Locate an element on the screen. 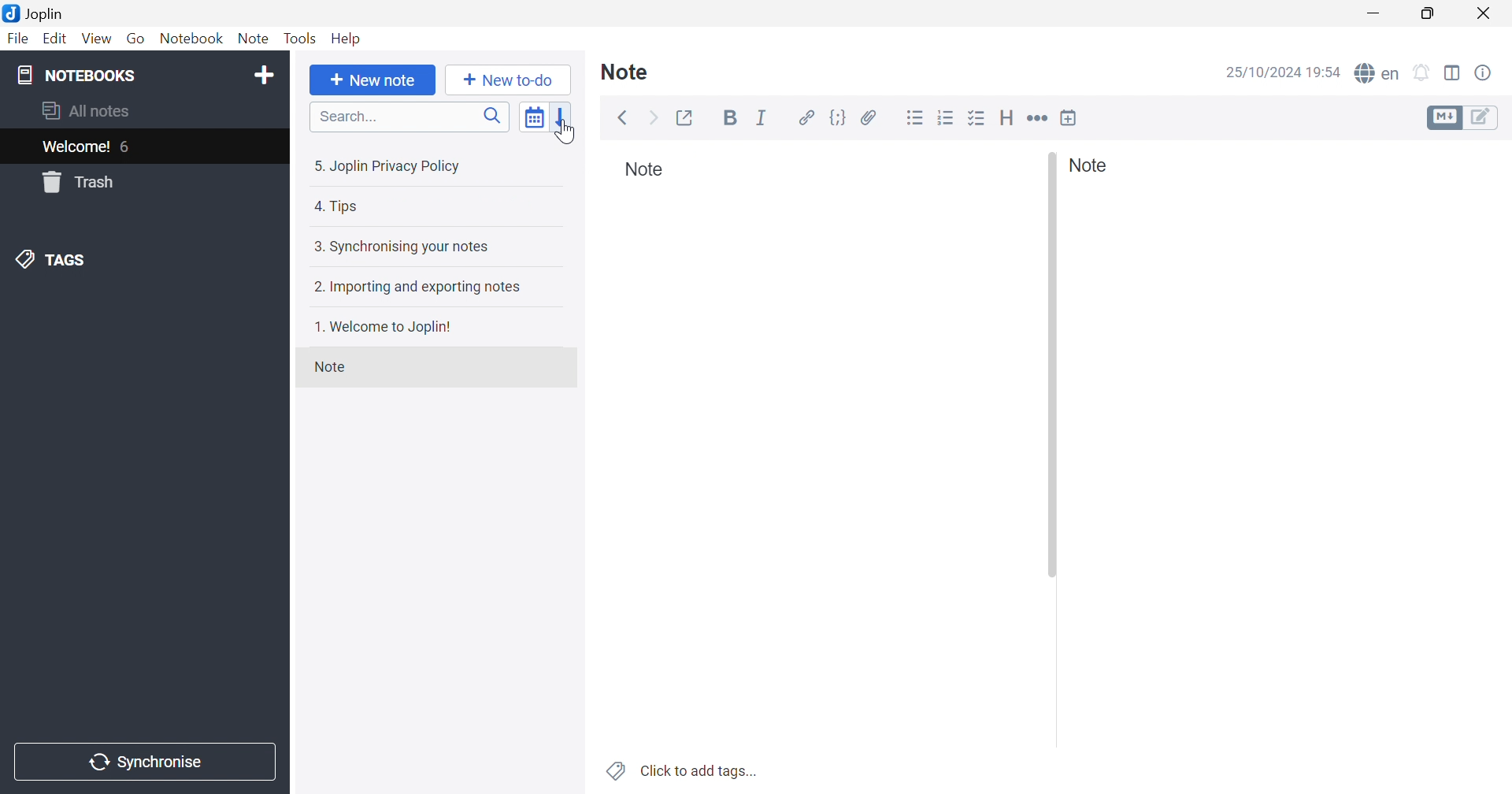 The height and width of the screenshot is (794, 1512). Set alarm is located at coordinates (1423, 73).